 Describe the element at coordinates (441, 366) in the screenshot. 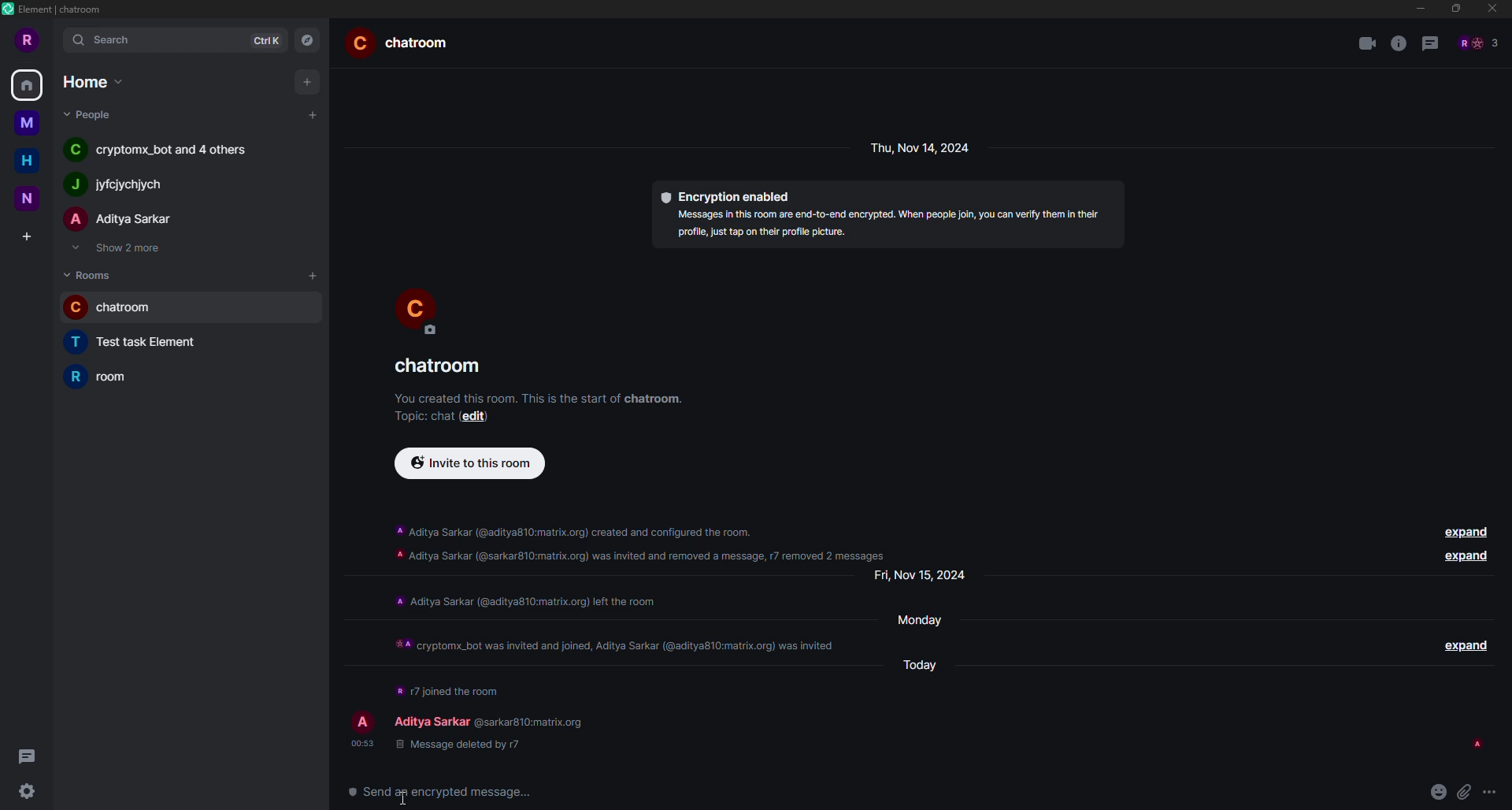

I see `room` at that location.